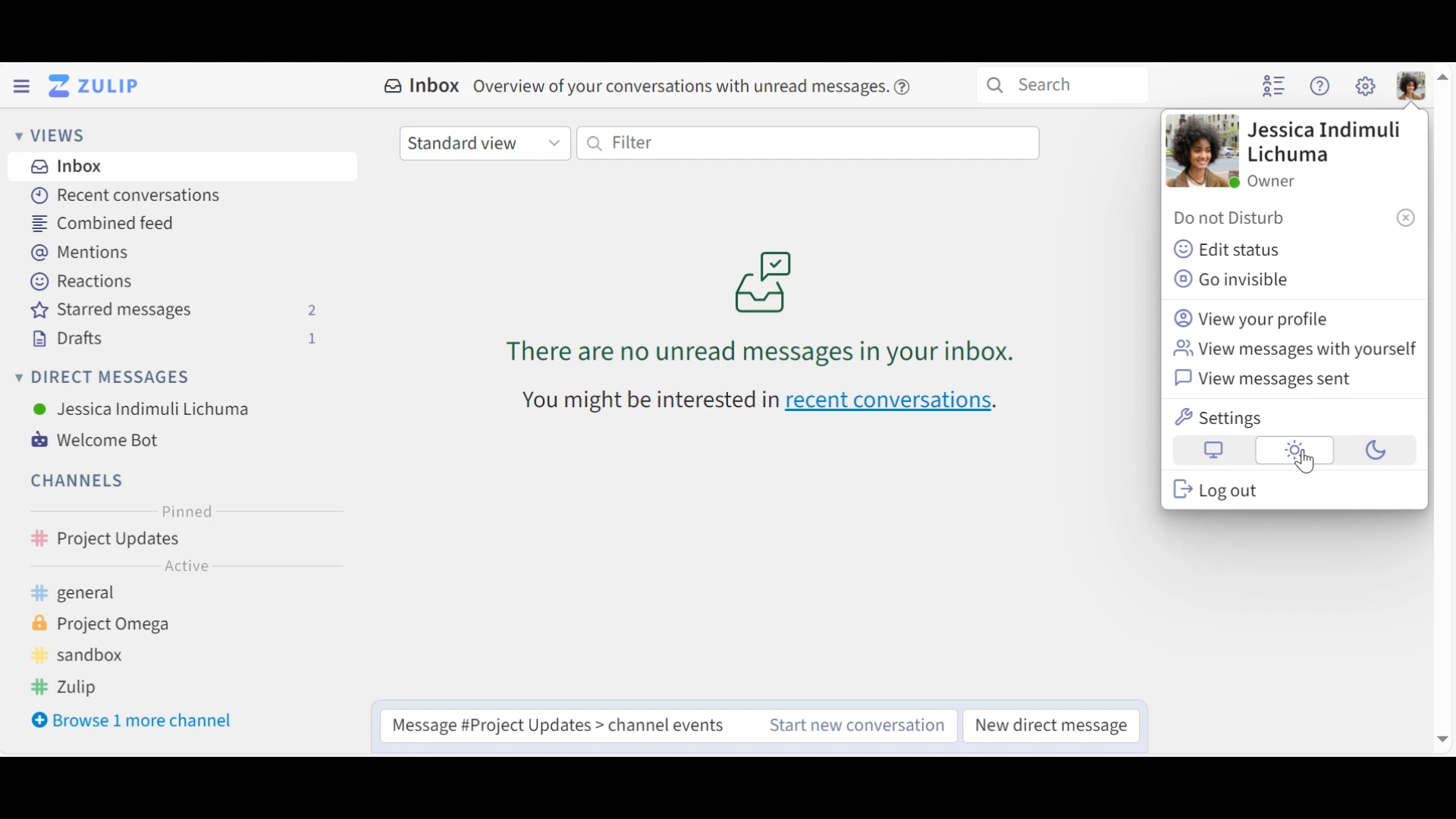  What do you see at coordinates (103, 225) in the screenshot?
I see `Combined Feed` at bounding box center [103, 225].